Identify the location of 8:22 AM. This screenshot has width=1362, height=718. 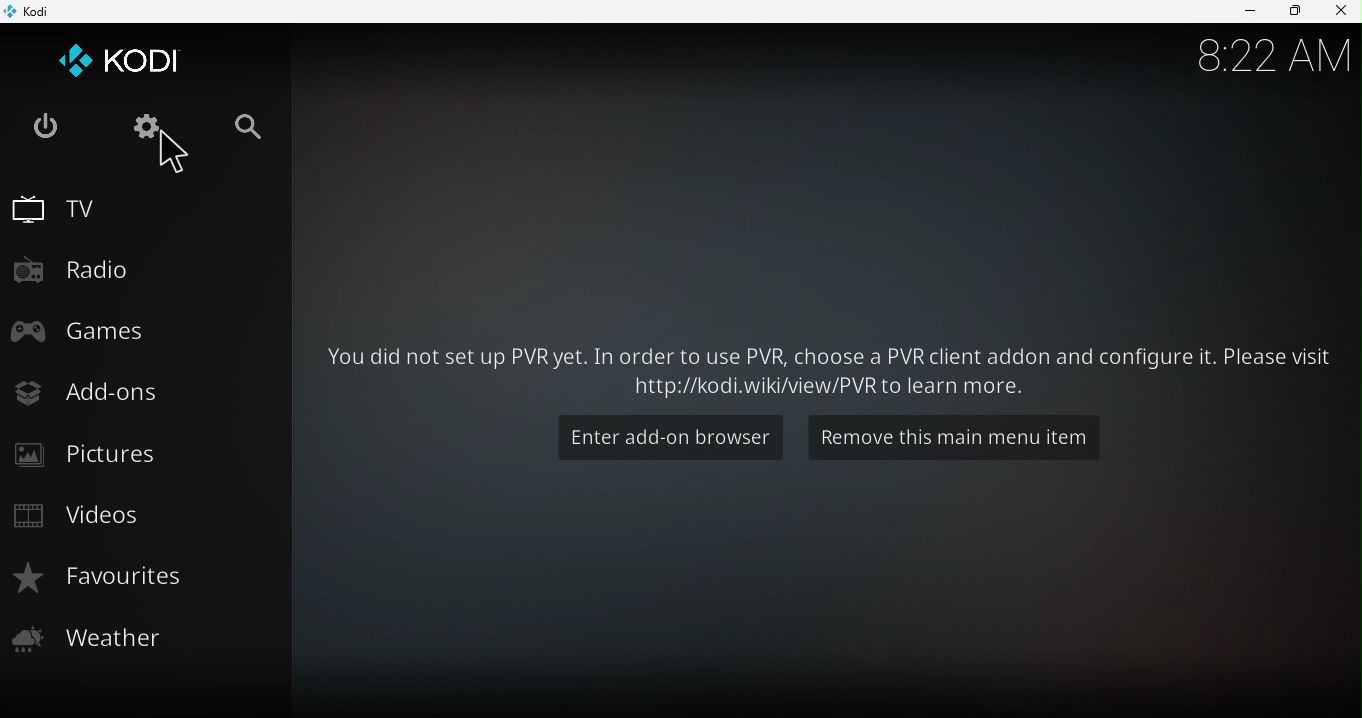
(1271, 63).